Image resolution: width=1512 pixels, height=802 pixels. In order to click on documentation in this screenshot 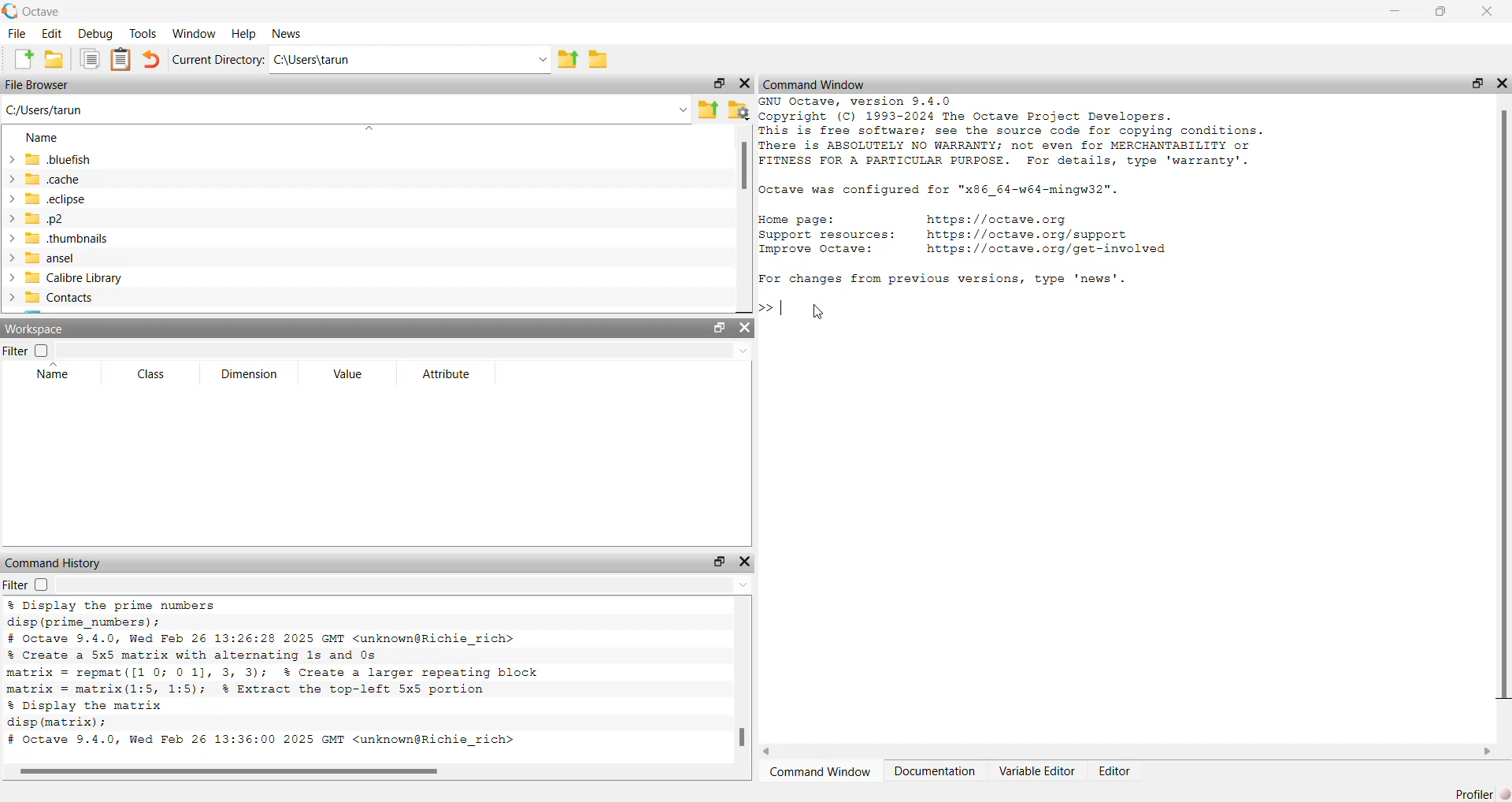, I will do `click(934, 772)`.